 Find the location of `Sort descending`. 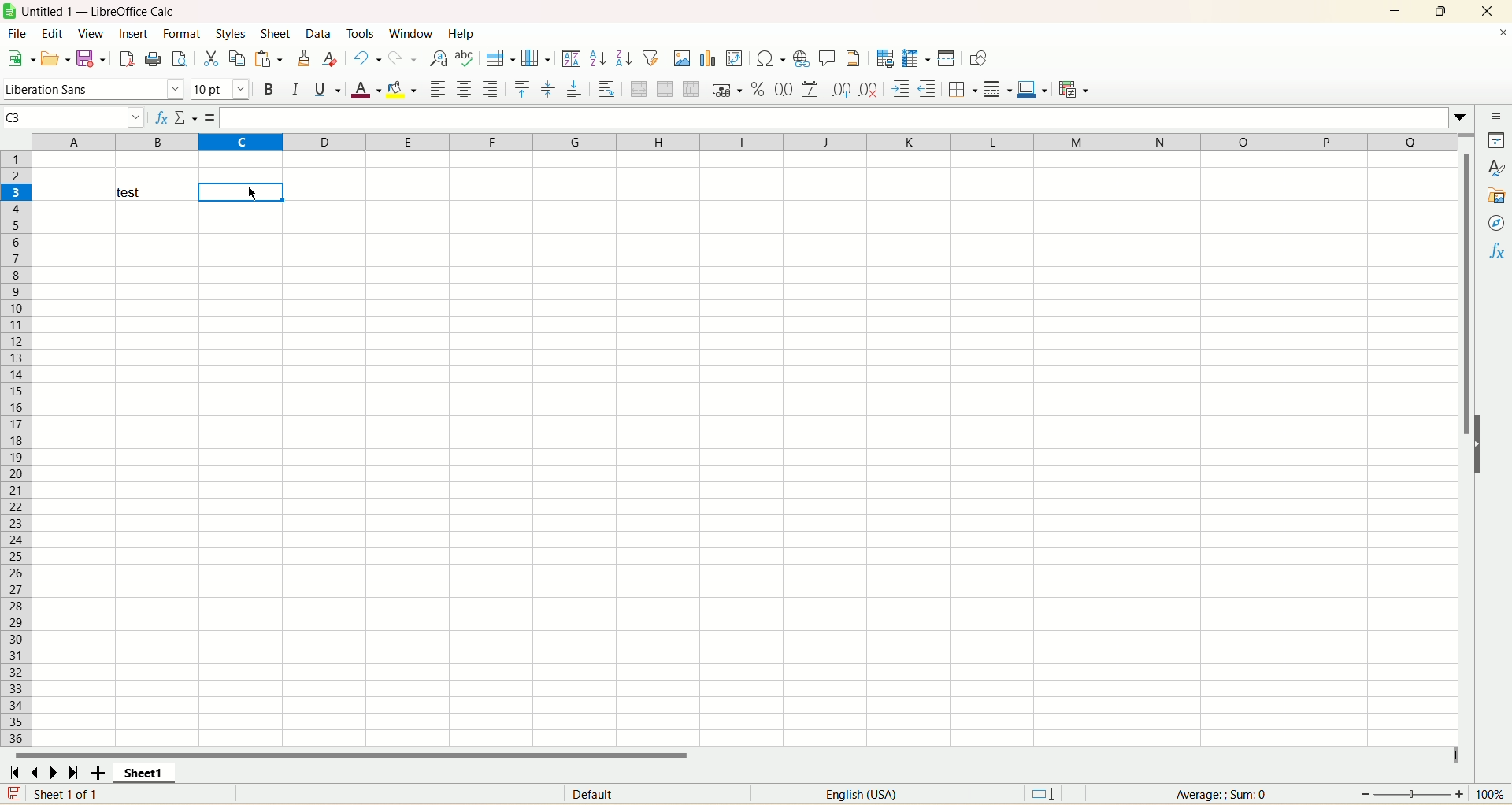

Sort descending is located at coordinates (624, 57).